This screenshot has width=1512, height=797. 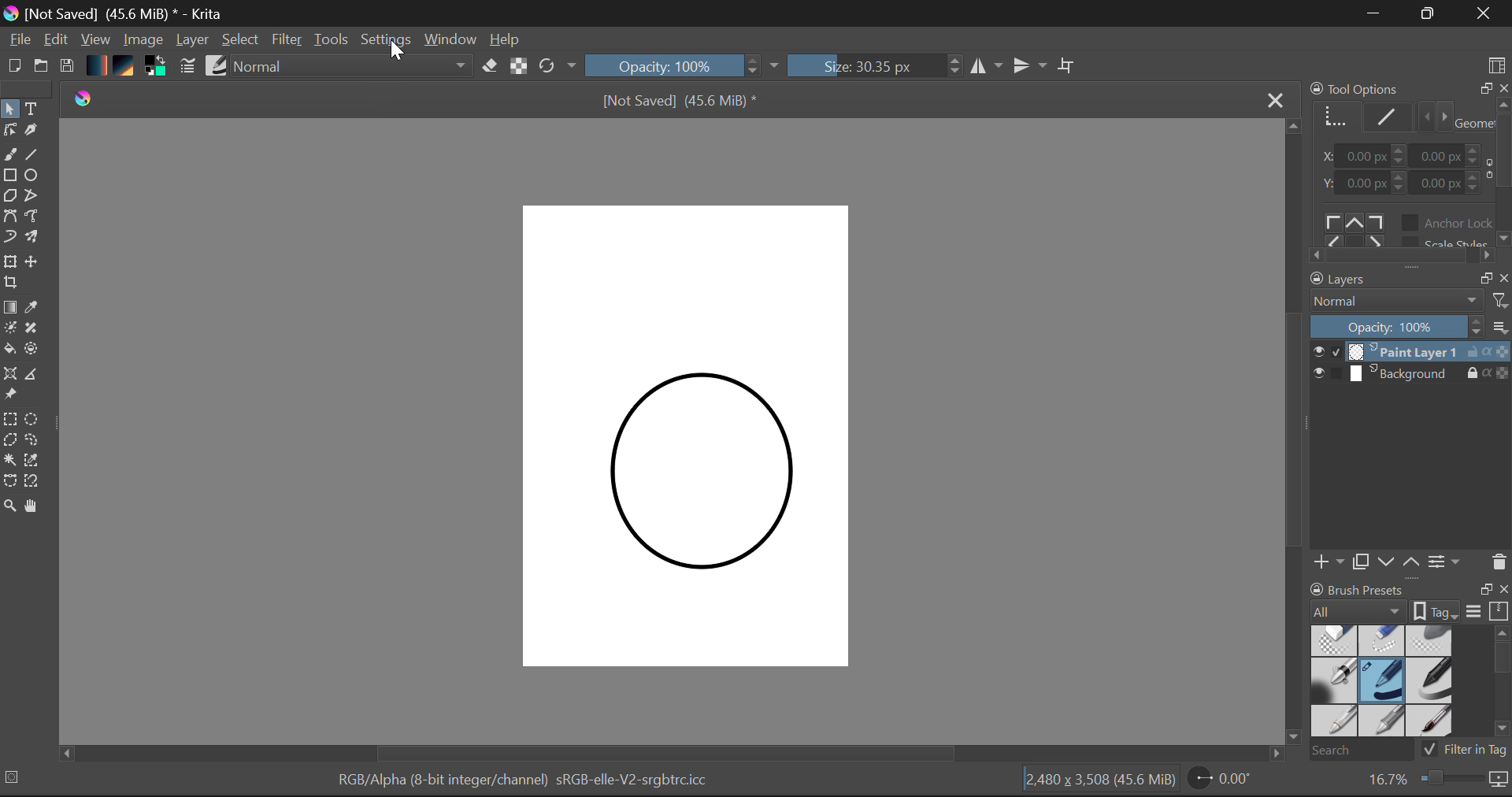 What do you see at coordinates (32, 194) in the screenshot?
I see `Polyline` at bounding box center [32, 194].